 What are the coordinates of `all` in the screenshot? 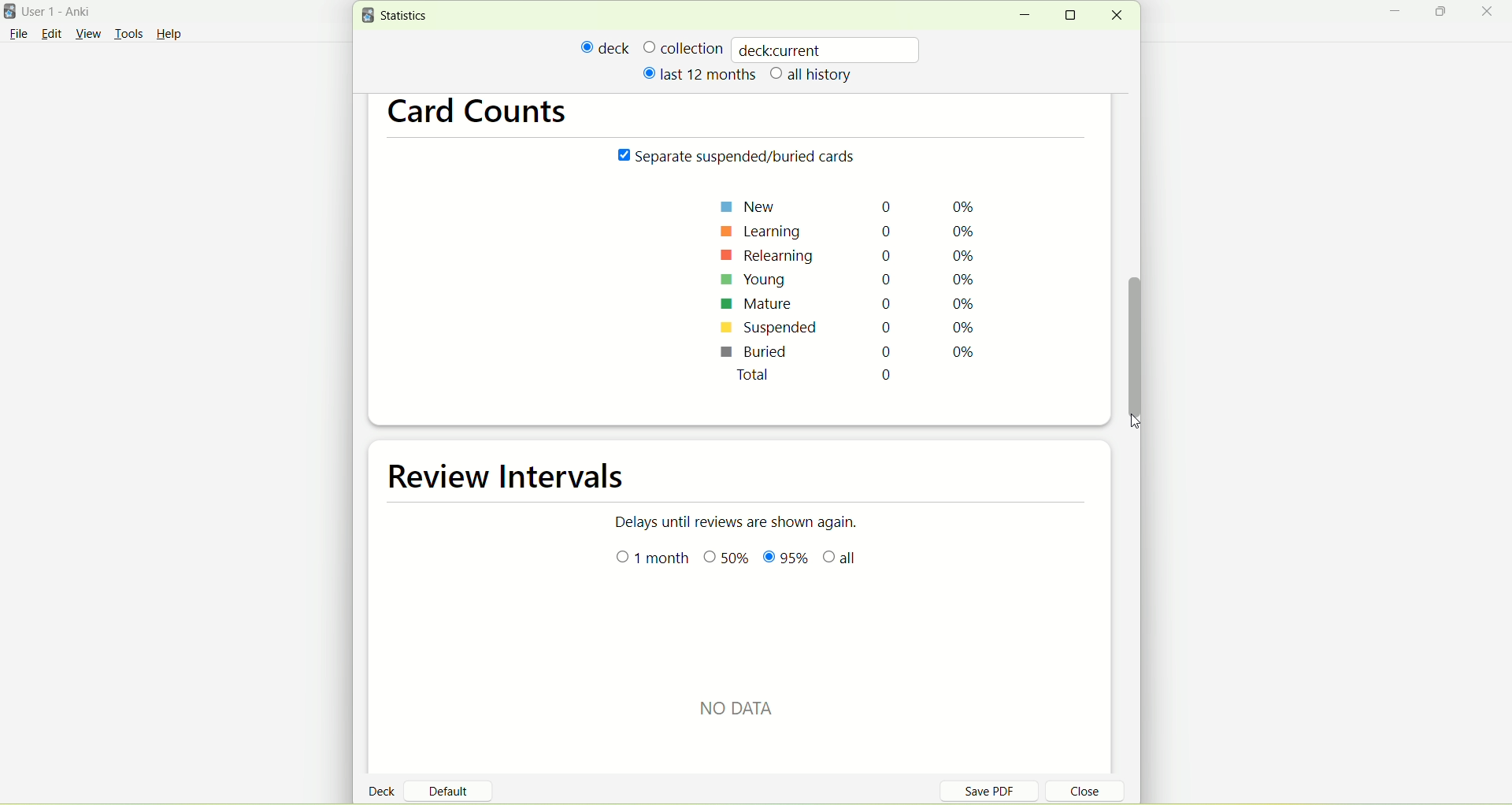 It's located at (843, 560).